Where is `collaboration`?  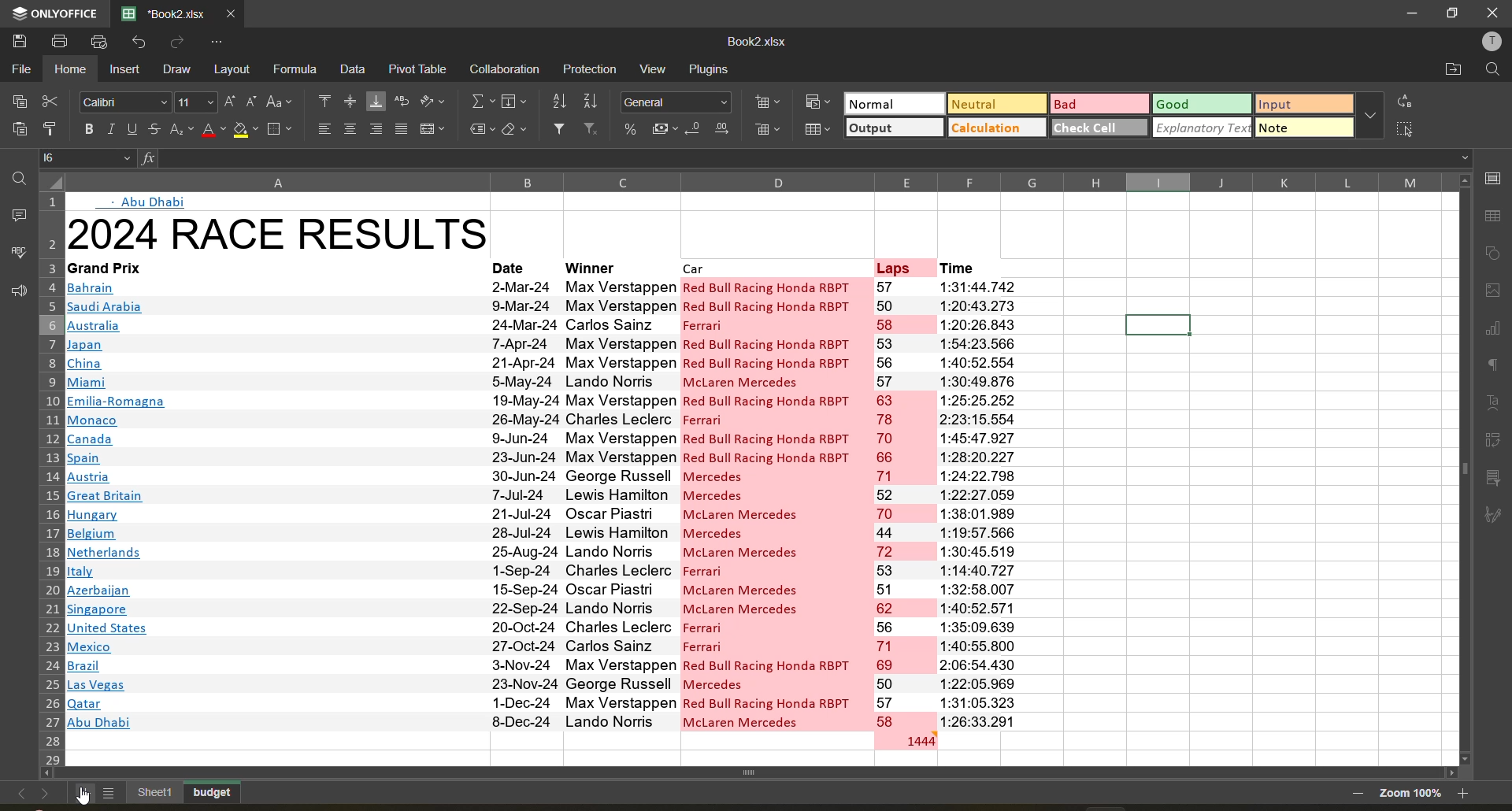
collaboration is located at coordinates (505, 68).